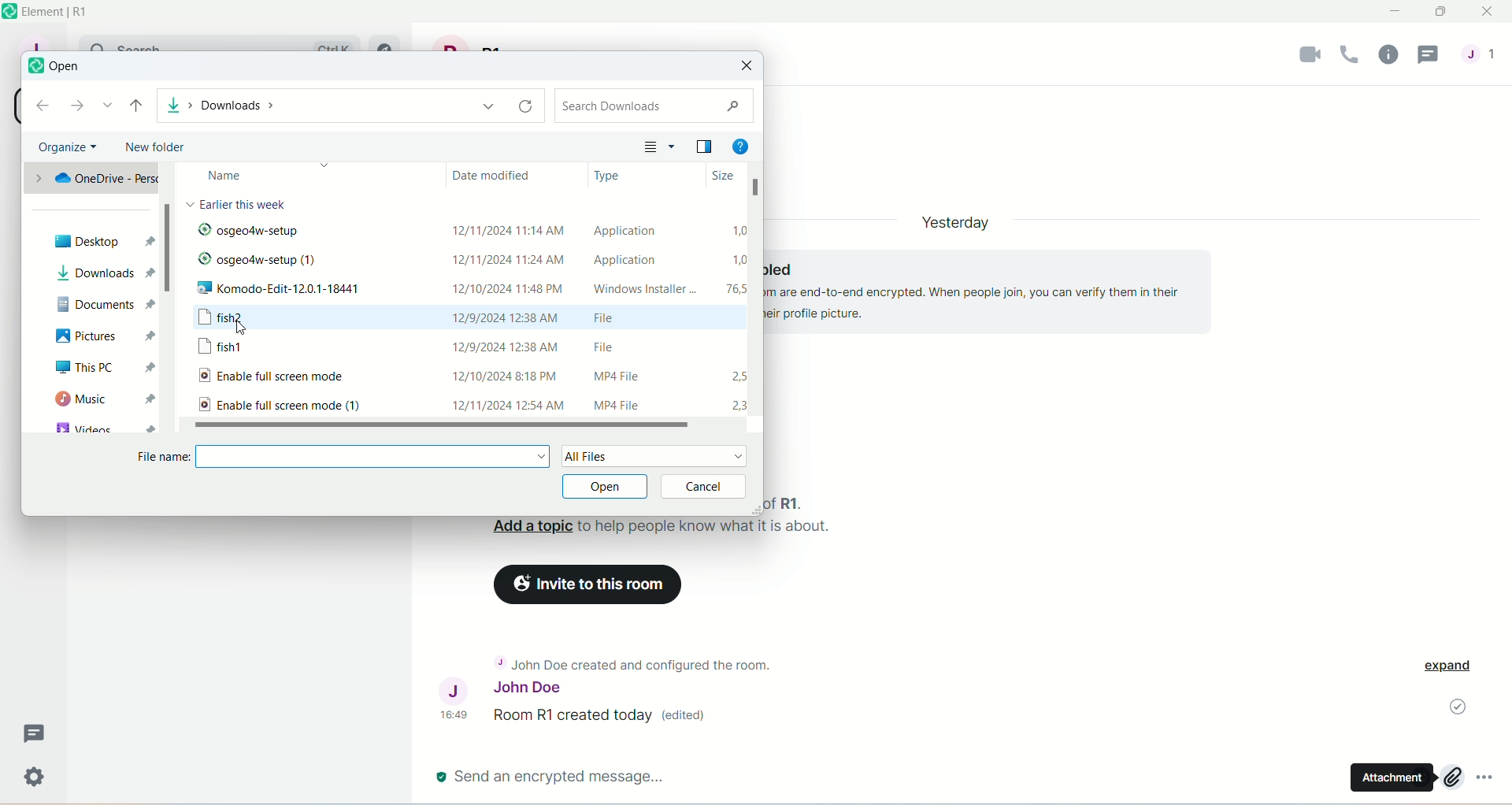  What do you see at coordinates (37, 733) in the screenshot?
I see `Message` at bounding box center [37, 733].